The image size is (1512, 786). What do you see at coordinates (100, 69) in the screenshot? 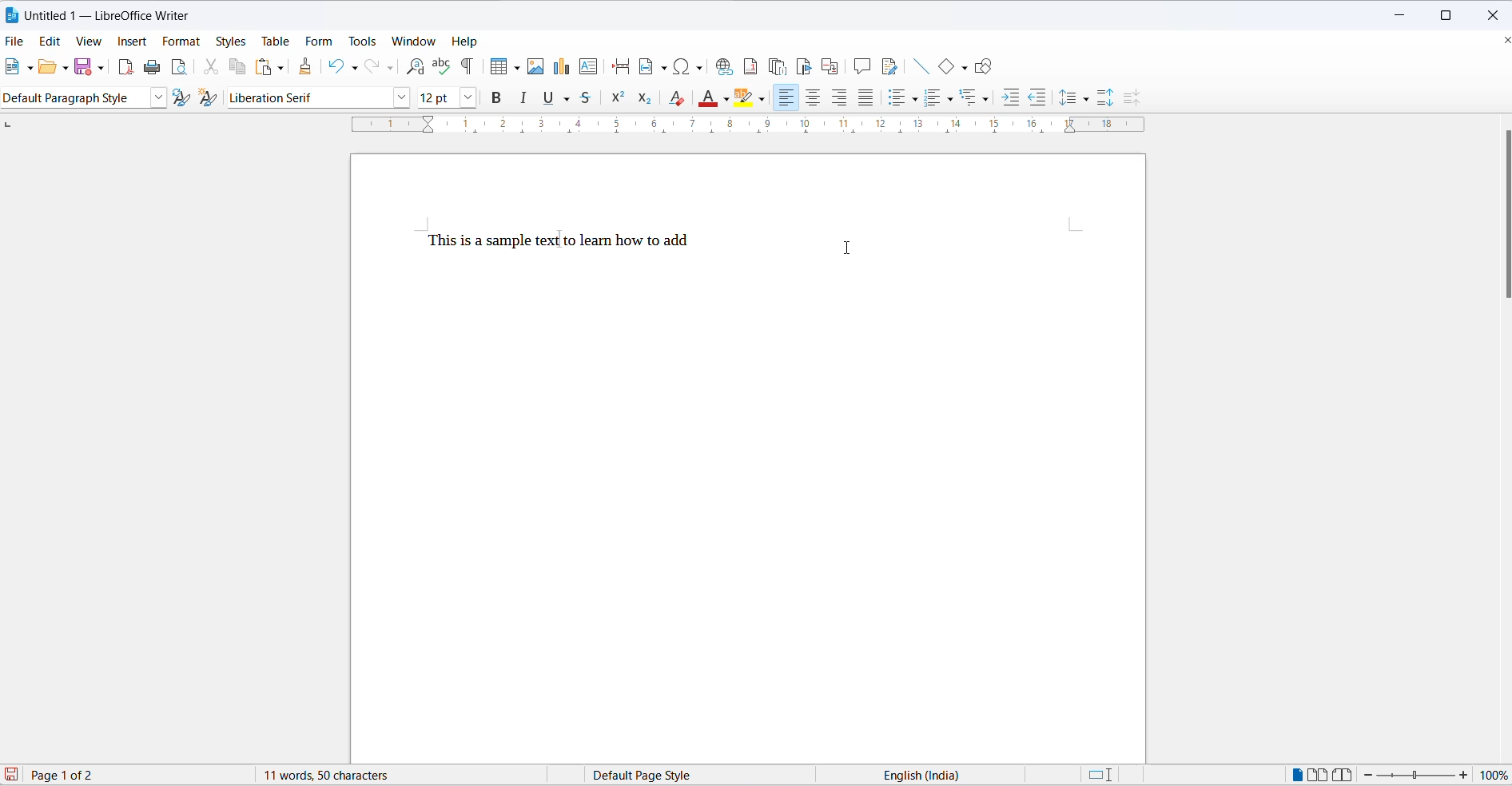
I see `save options` at bounding box center [100, 69].